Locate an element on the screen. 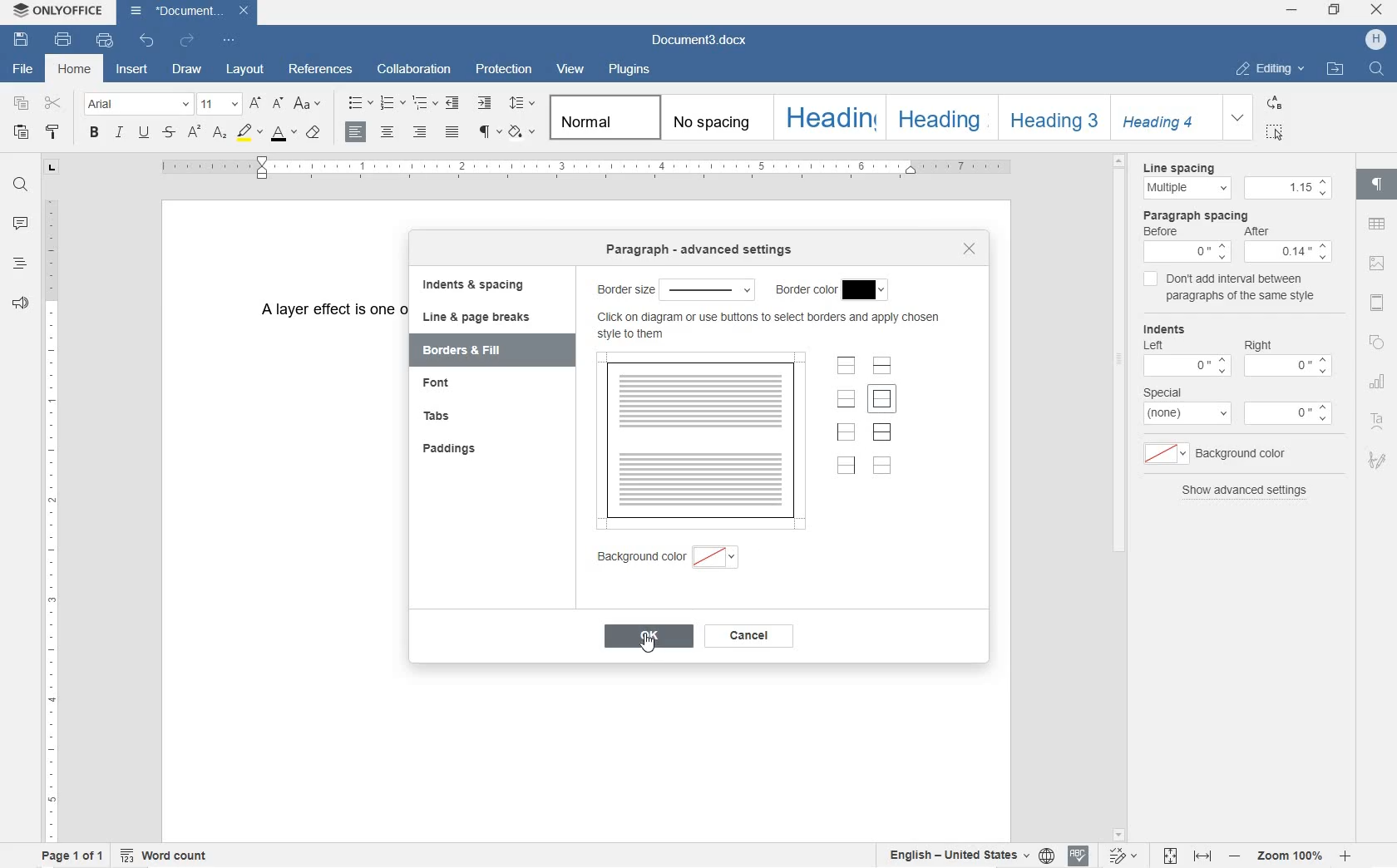 This screenshot has height=868, width=1397. set no borders is located at coordinates (881, 468).